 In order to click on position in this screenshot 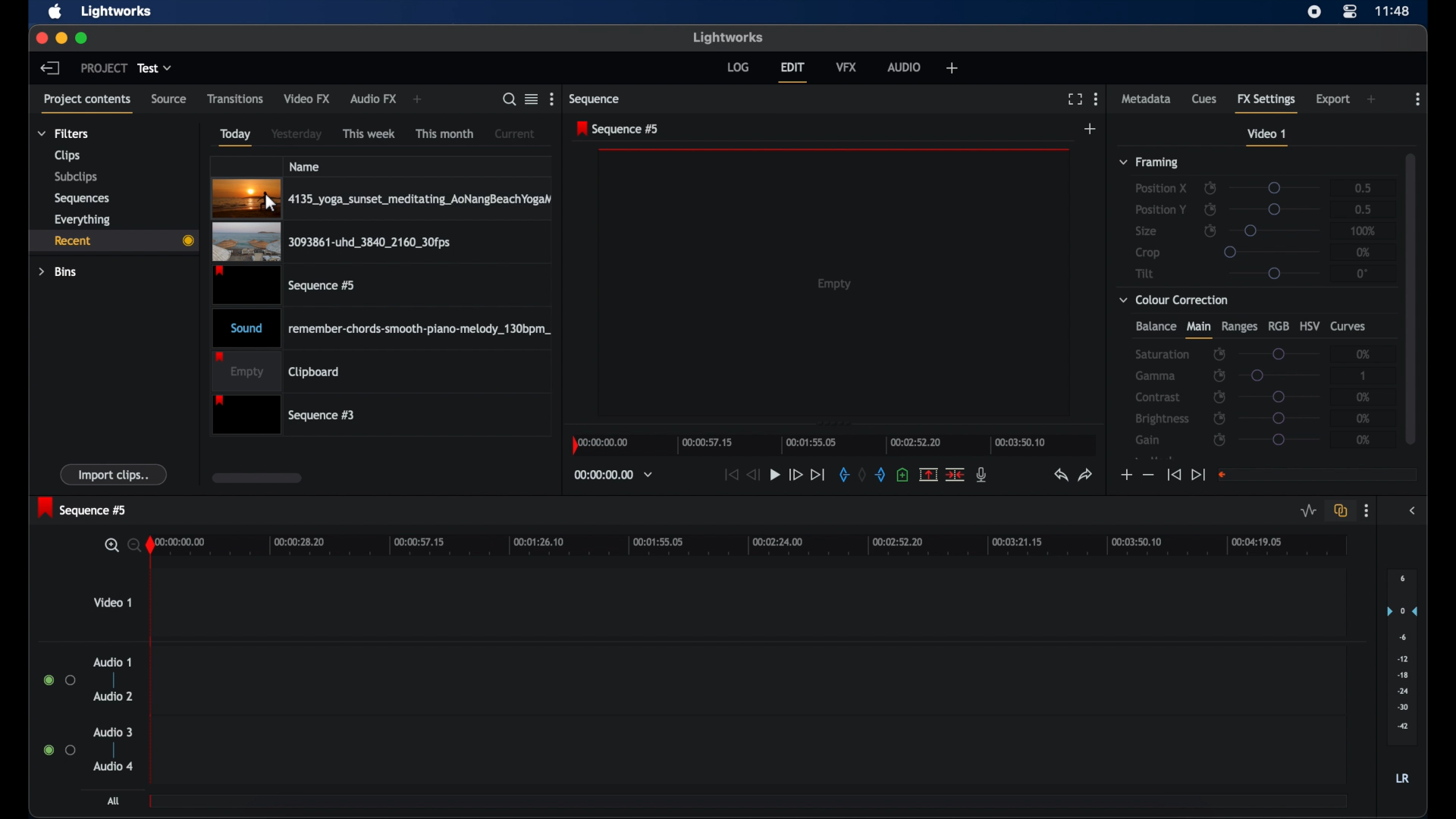, I will do `click(1161, 209)`.